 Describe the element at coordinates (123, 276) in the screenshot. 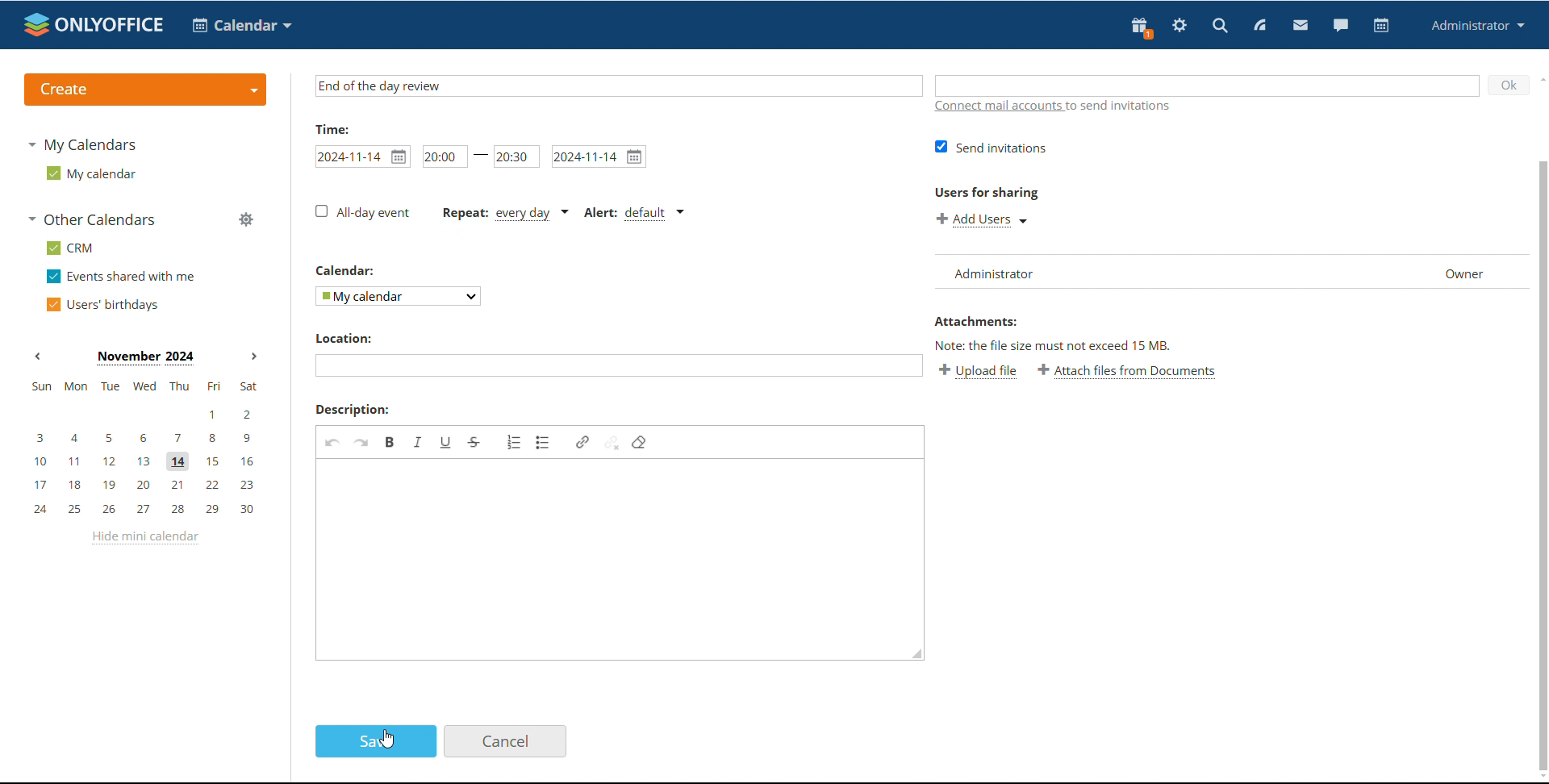

I see `events shared with me` at that location.